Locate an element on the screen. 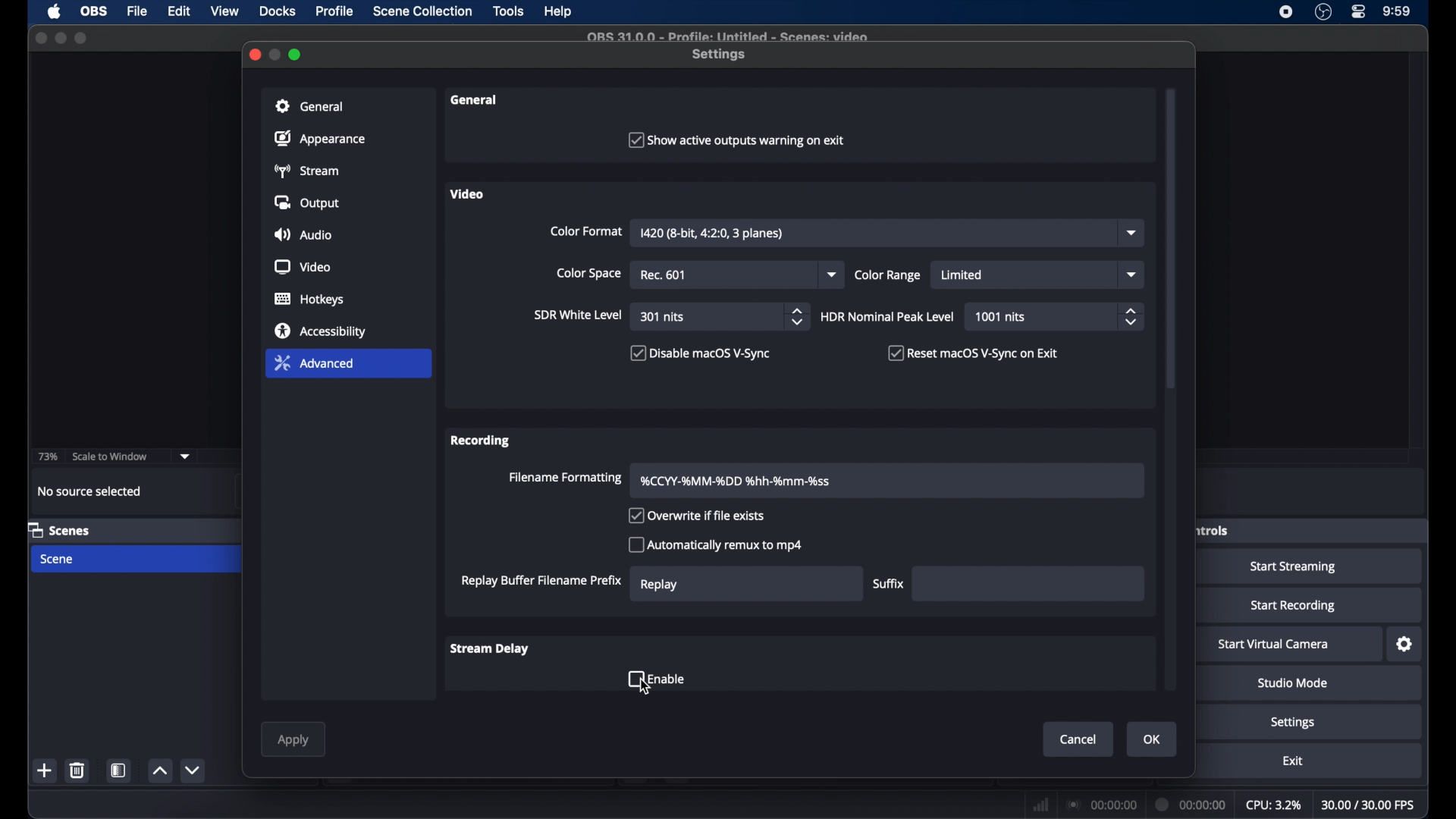 This screenshot has width=1456, height=819. docks is located at coordinates (278, 11).